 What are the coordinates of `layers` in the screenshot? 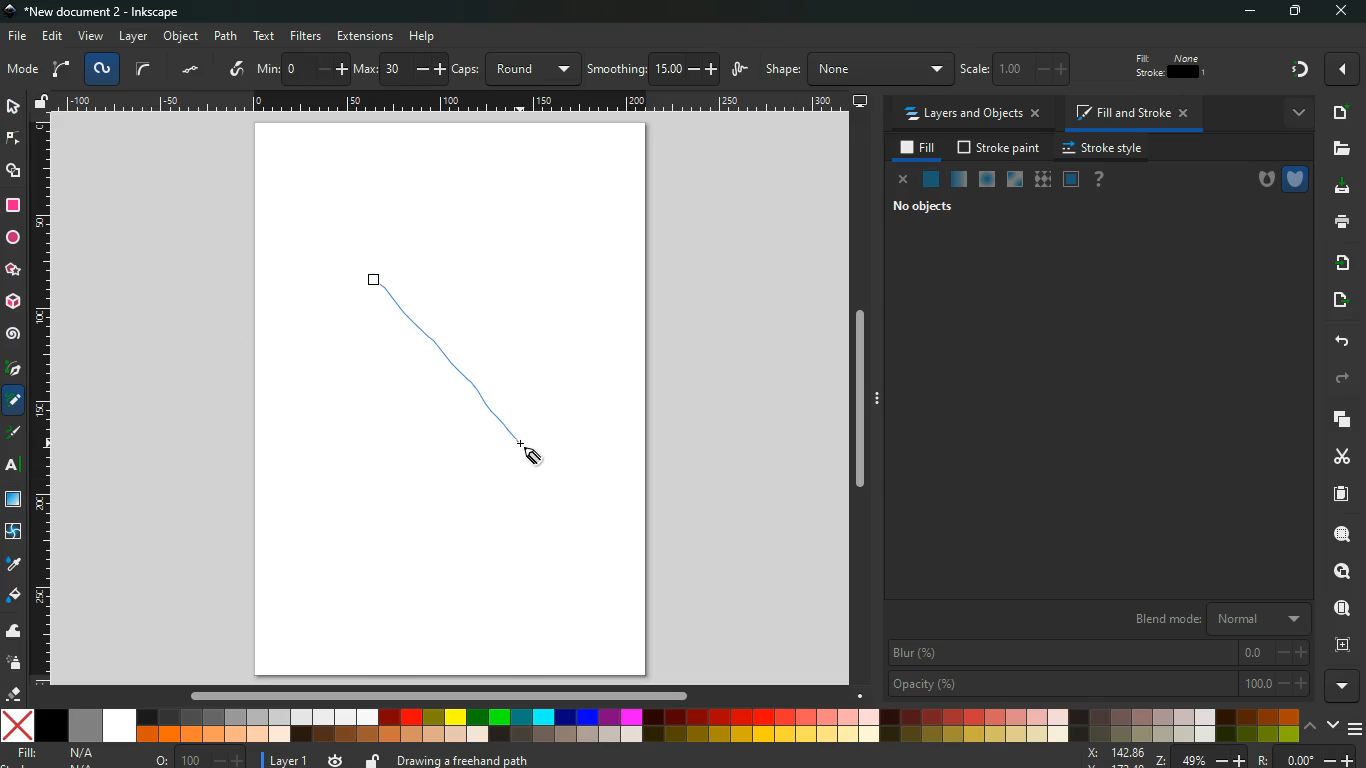 It's located at (1338, 419).